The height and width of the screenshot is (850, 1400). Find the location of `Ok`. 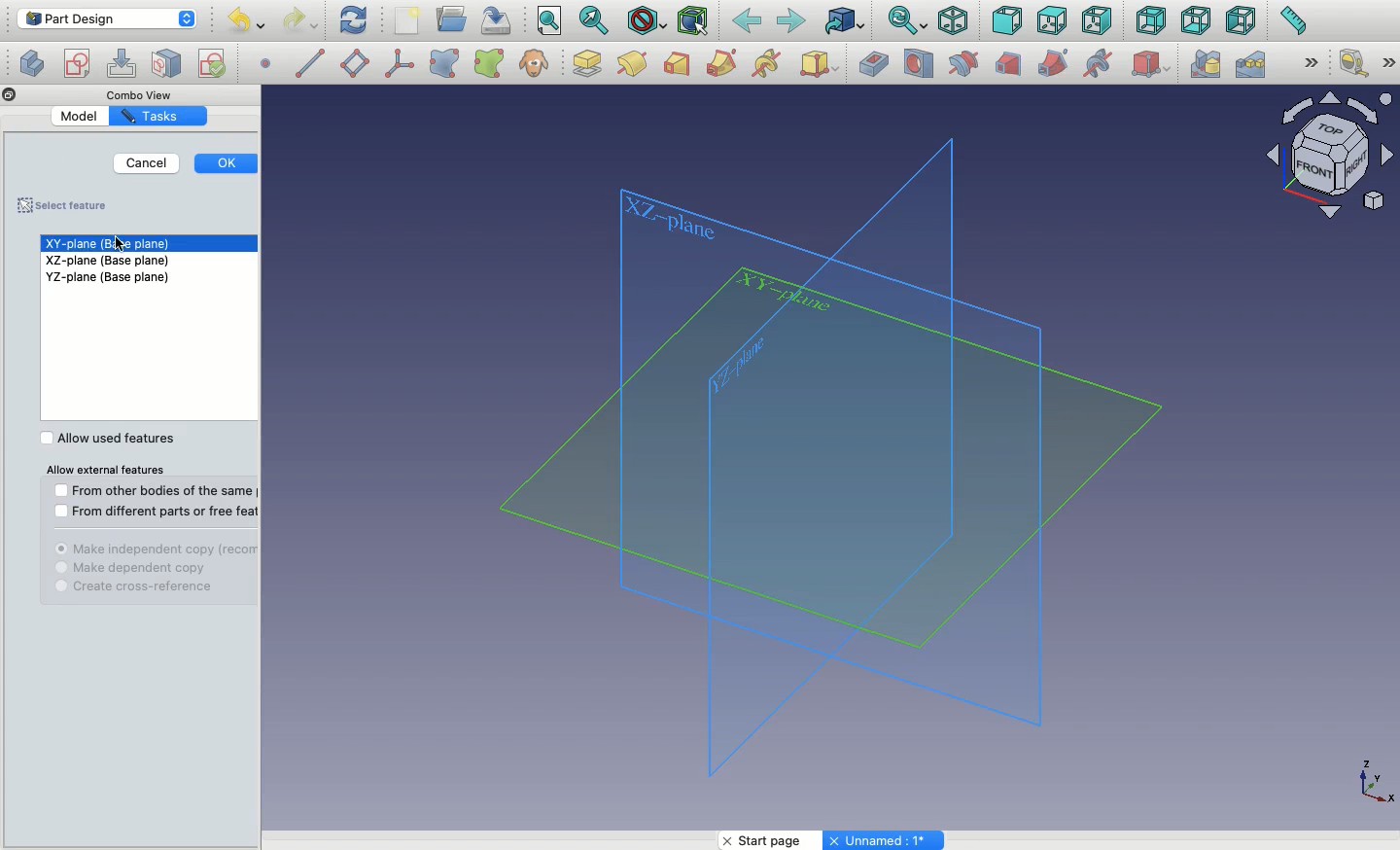

Ok is located at coordinates (226, 163).